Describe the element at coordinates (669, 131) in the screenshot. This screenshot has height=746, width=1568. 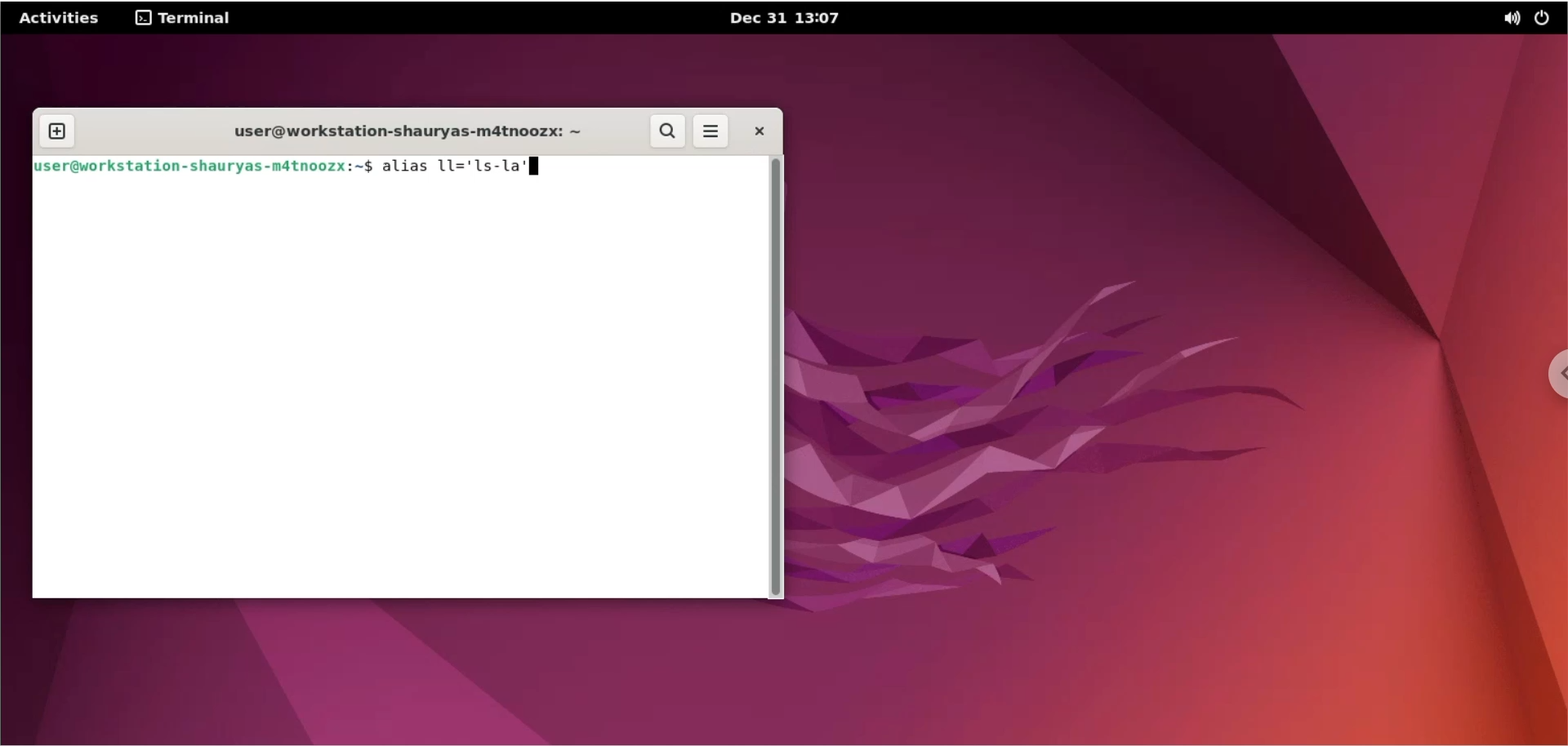
I see `search` at that location.